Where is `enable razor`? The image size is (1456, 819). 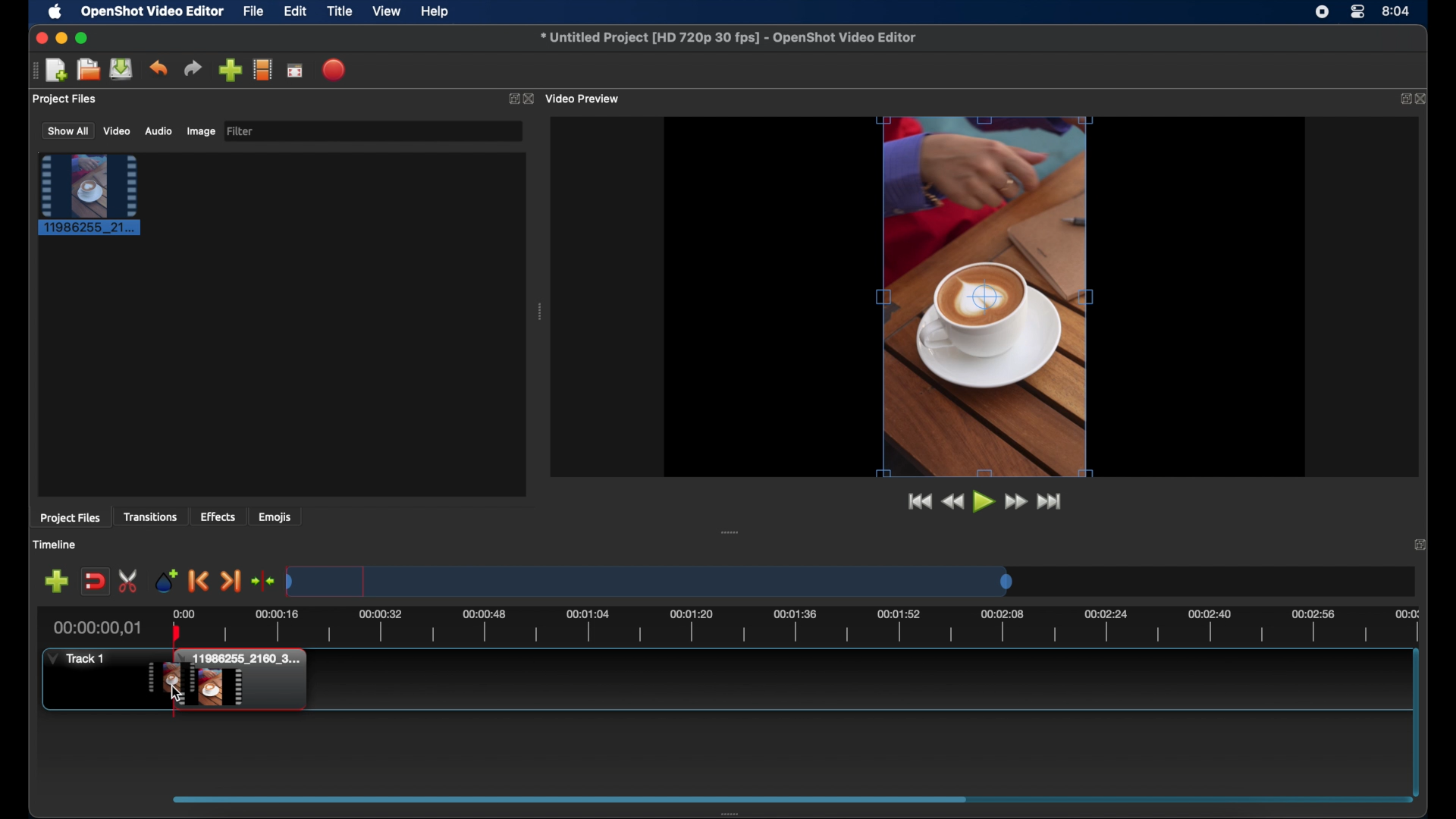
enable razor is located at coordinates (130, 581).